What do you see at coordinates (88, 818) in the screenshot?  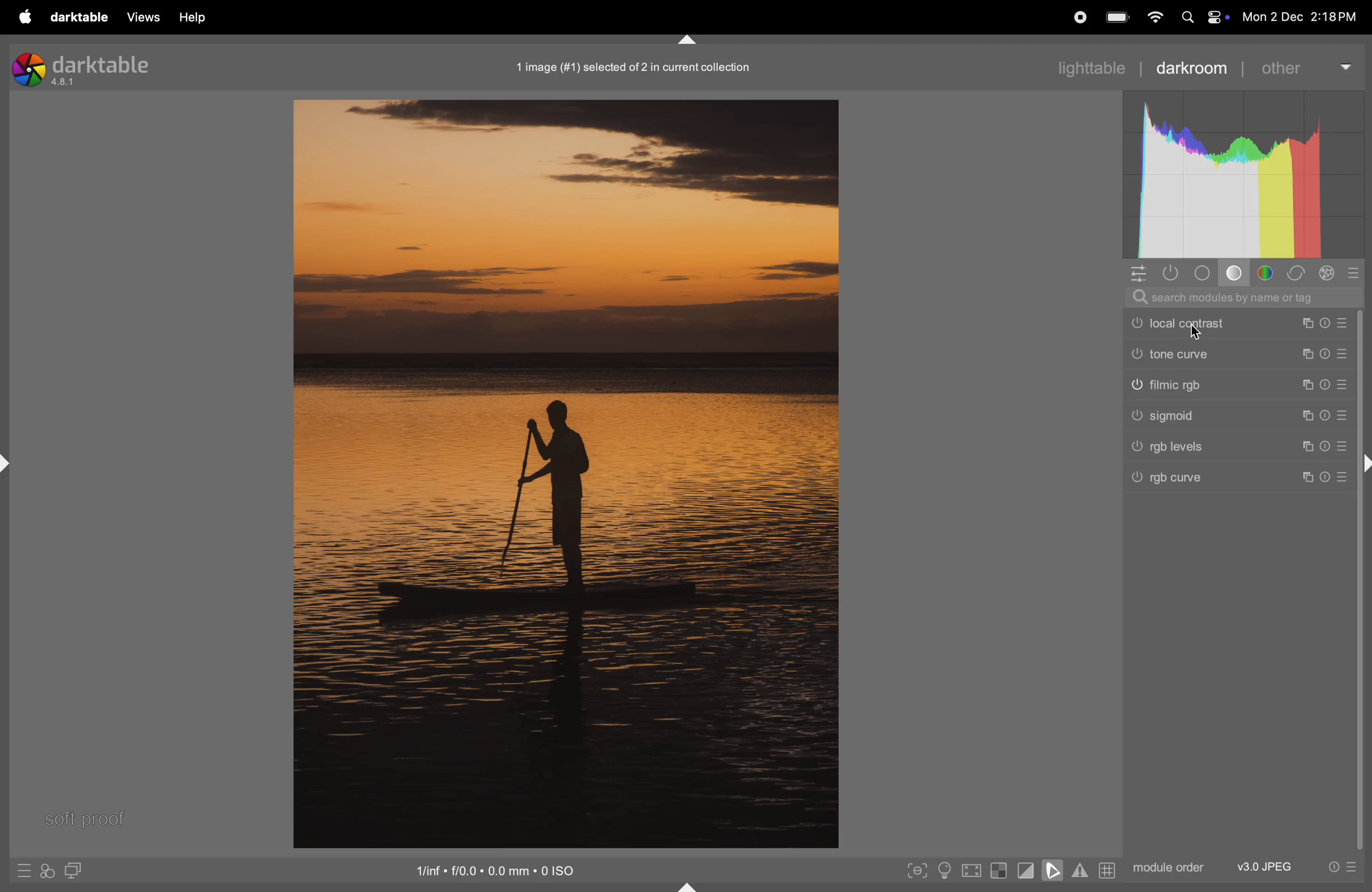 I see `soft proof` at bounding box center [88, 818].